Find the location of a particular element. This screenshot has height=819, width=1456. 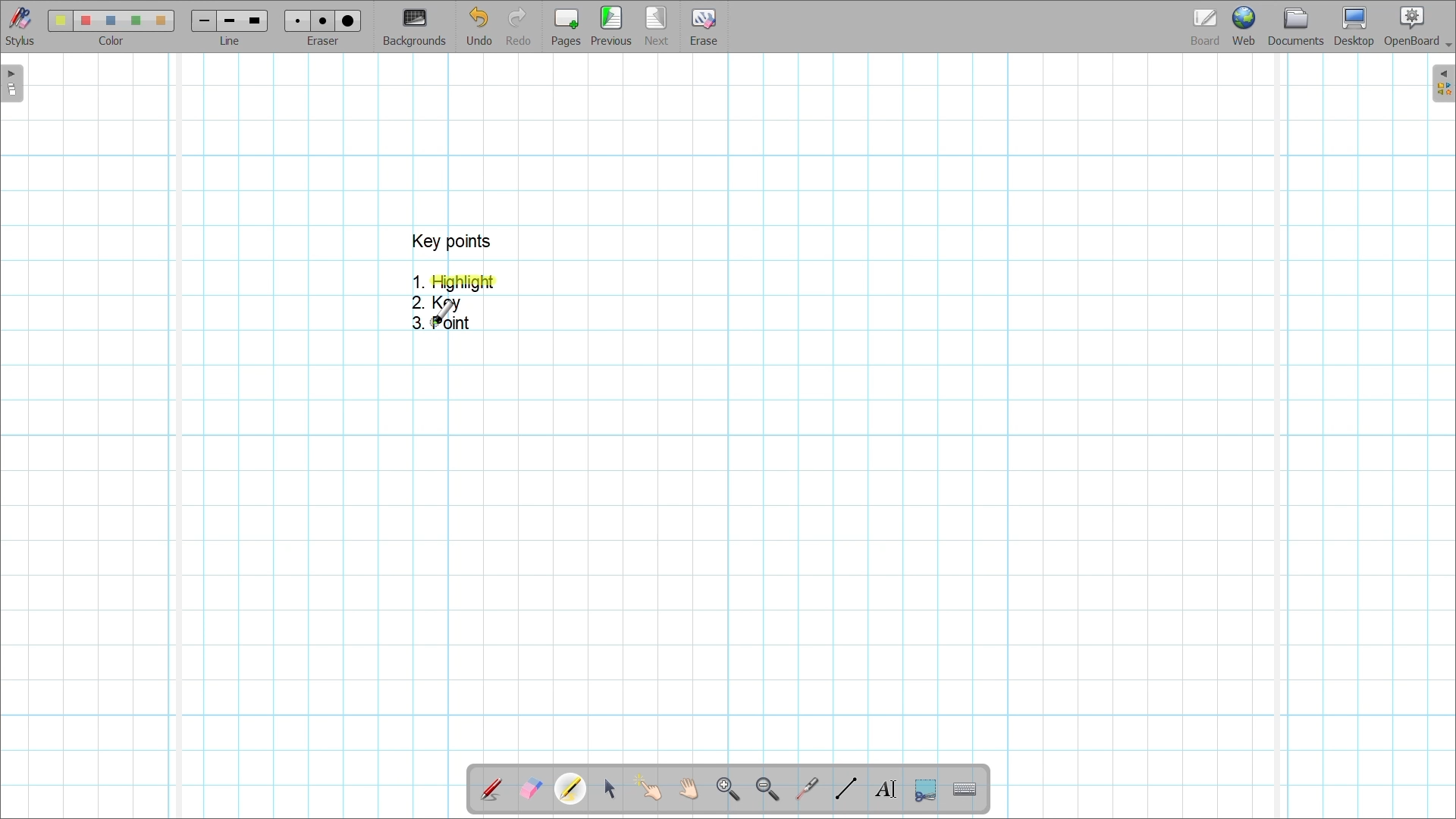

Highlighter is located at coordinates (570, 789).